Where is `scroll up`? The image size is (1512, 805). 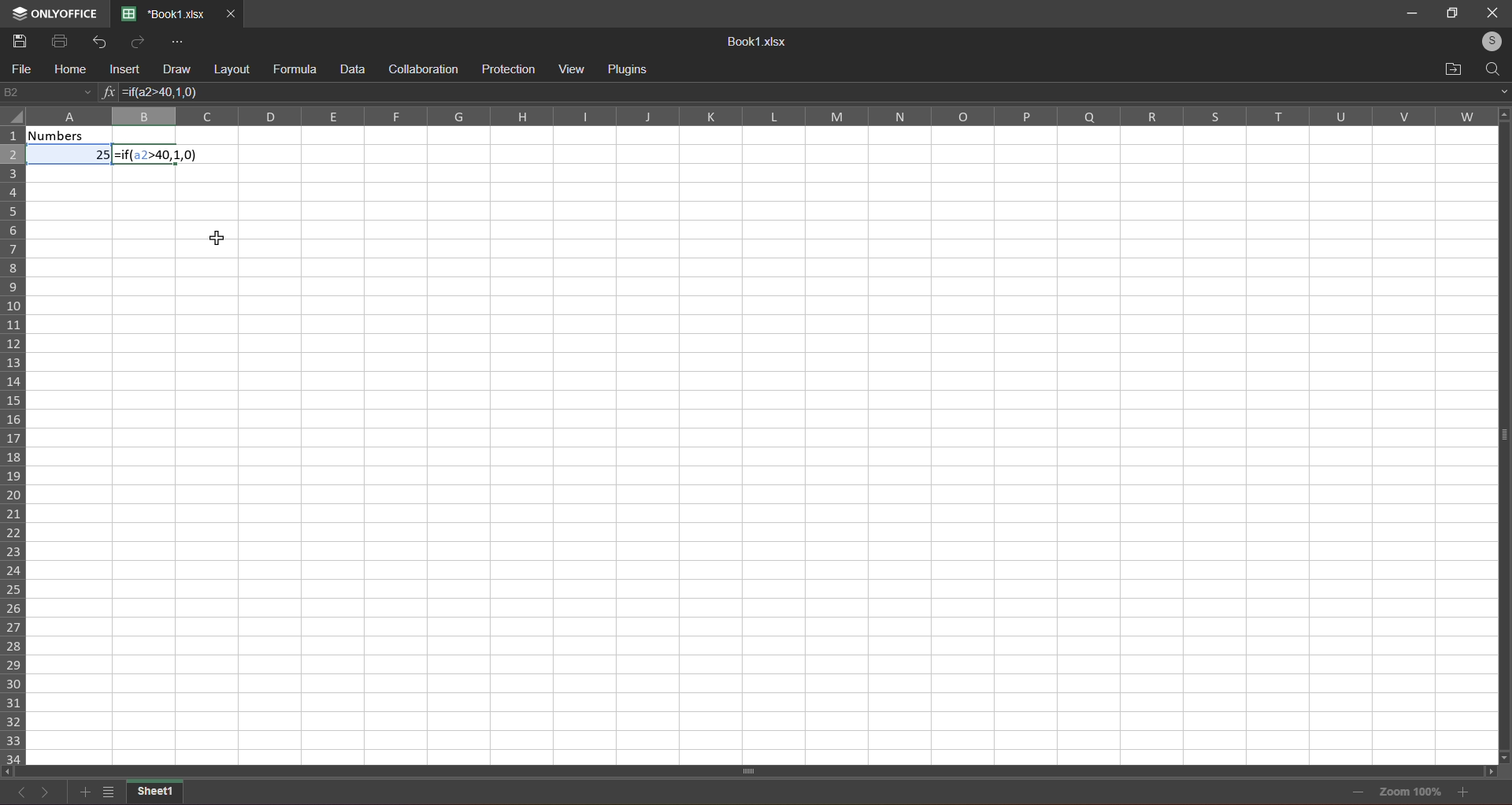
scroll up is located at coordinates (1500, 113).